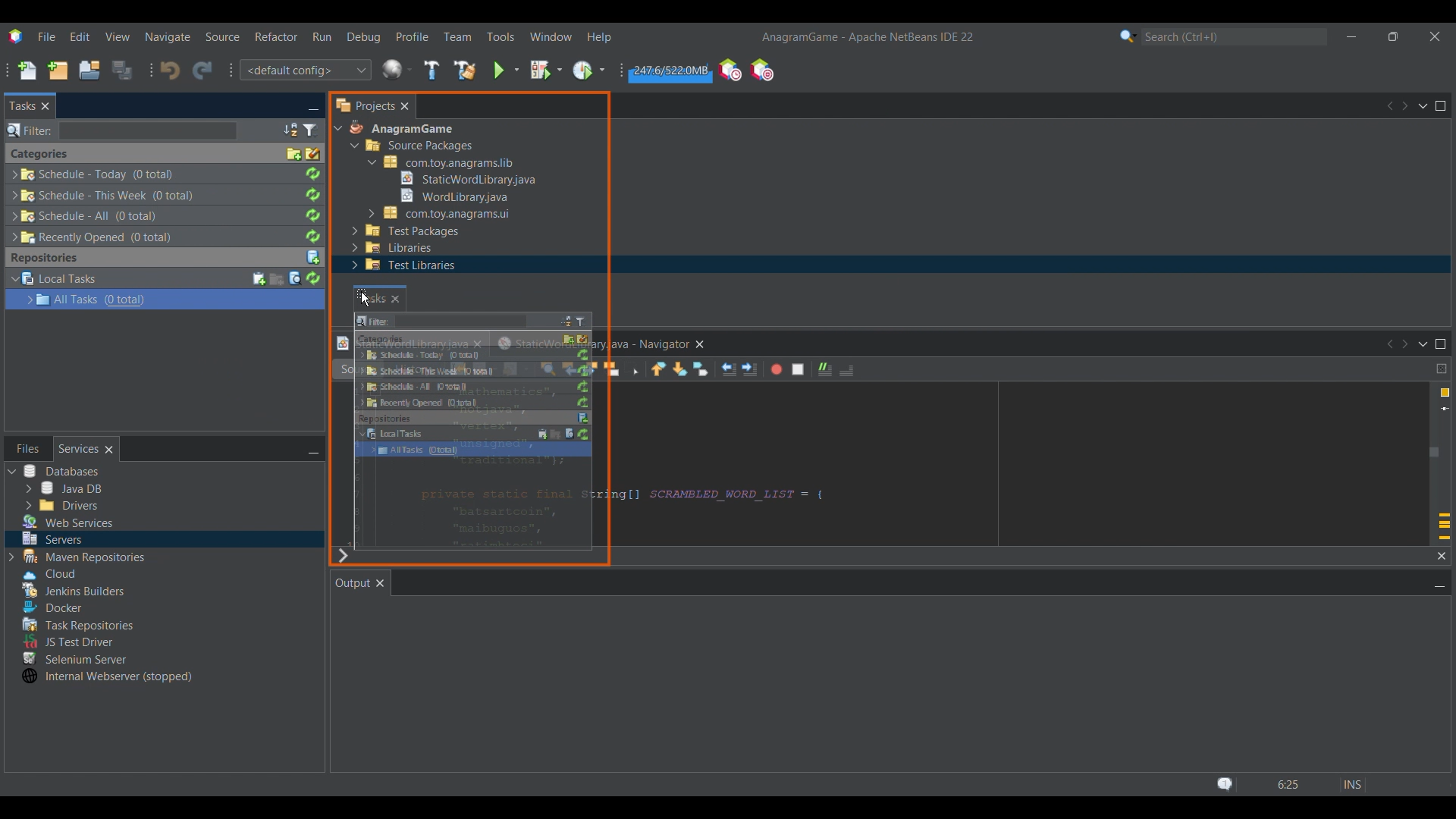  I want to click on Search, so click(1234, 36).